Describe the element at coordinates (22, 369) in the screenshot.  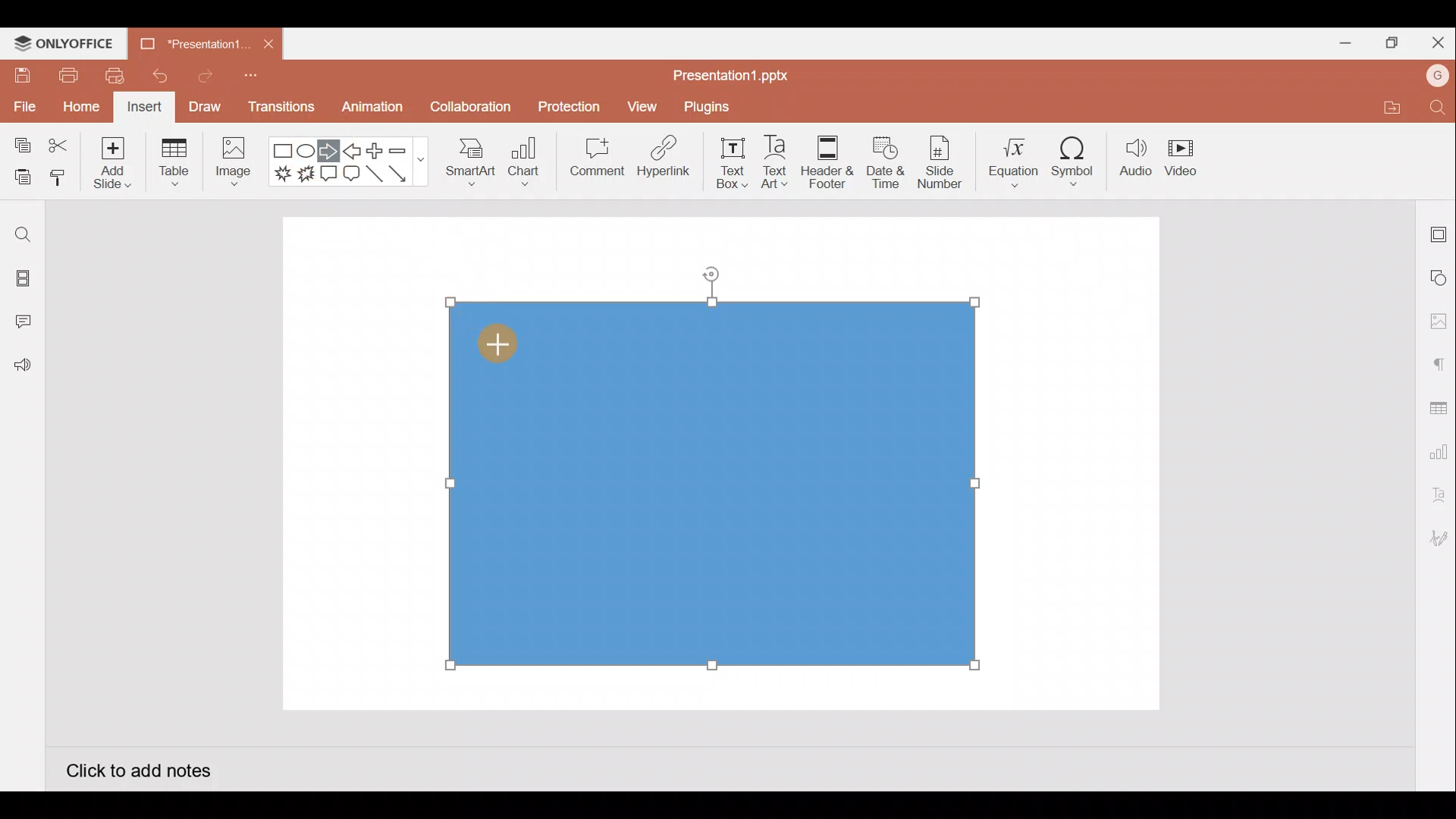
I see `Feedback and Support` at that location.